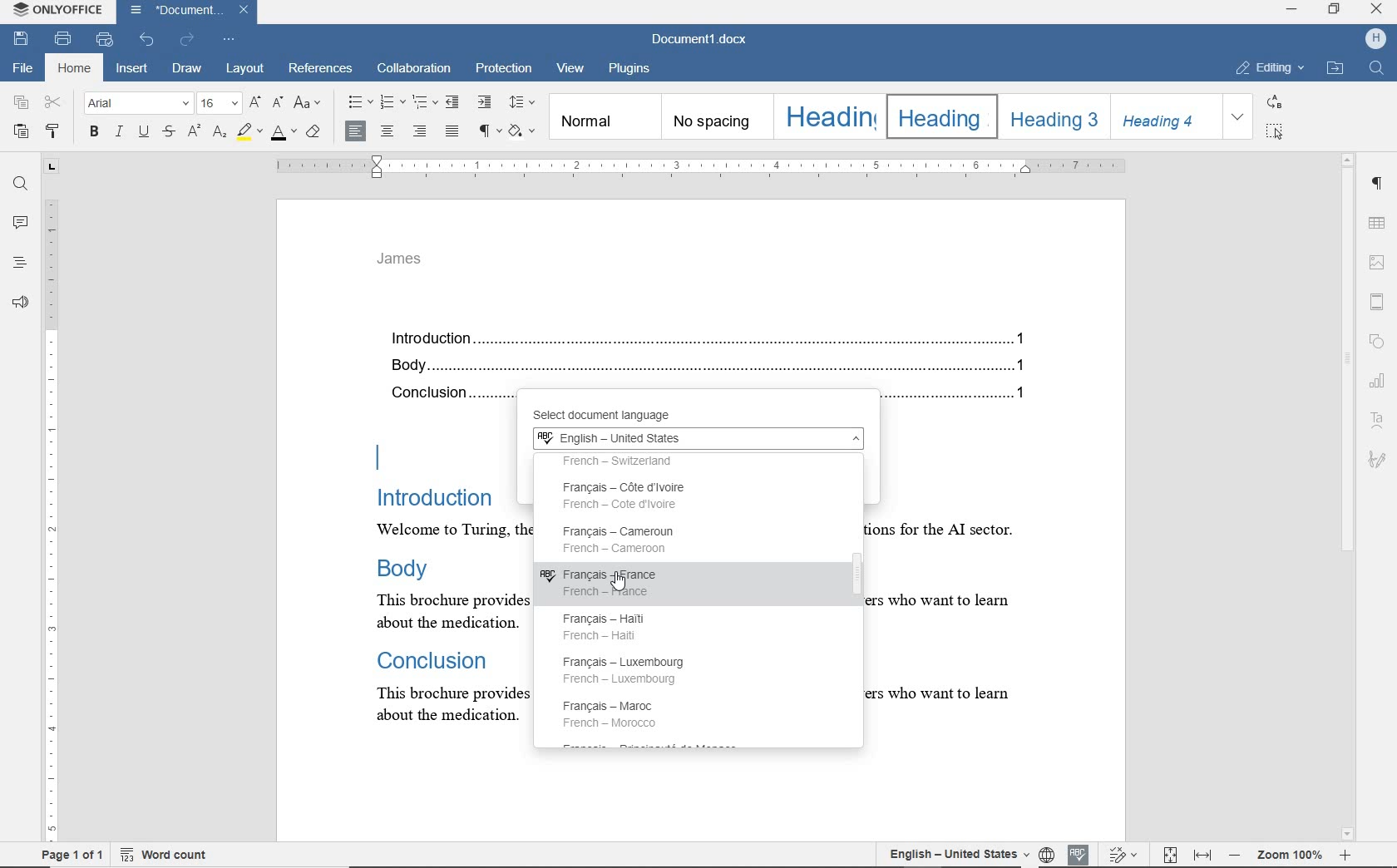 This screenshot has height=868, width=1397. I want to click on superscript, so click(193, 131).